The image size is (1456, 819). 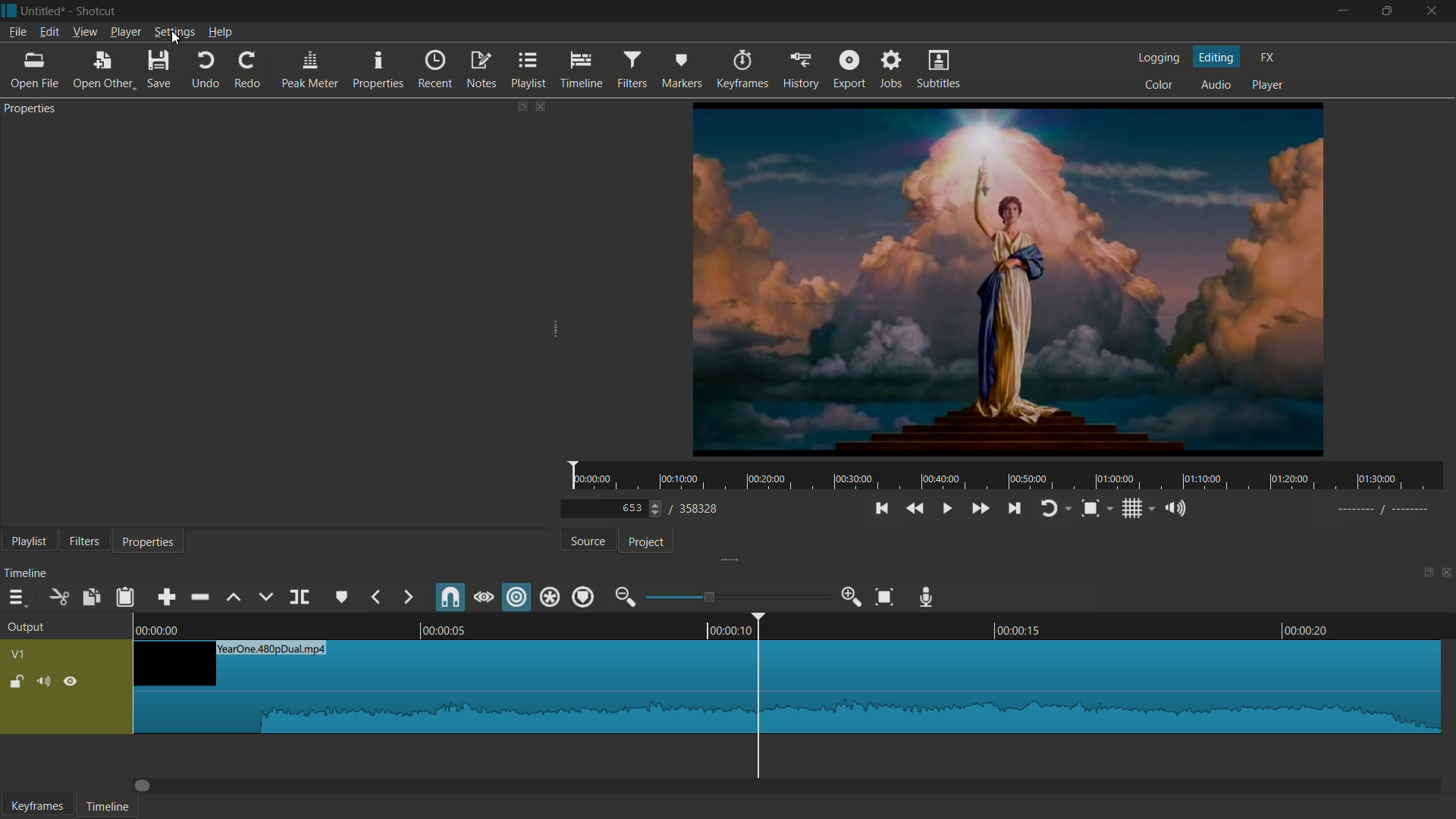 I want to click on properties, so click(x=380, y=69).